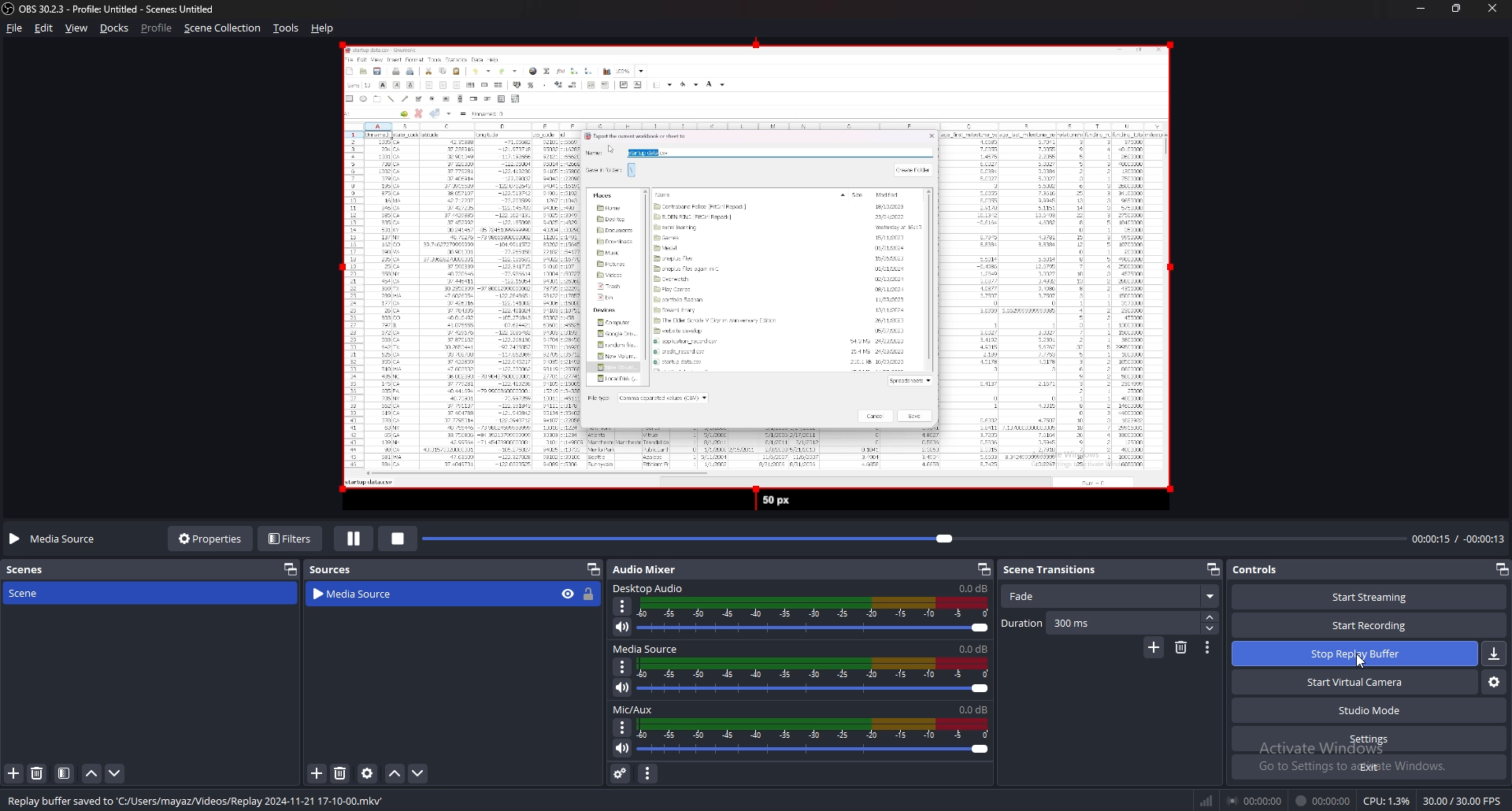  Describe the element at coordinates (1369, 710) in the screenshot. I see `studio mode` at that location.